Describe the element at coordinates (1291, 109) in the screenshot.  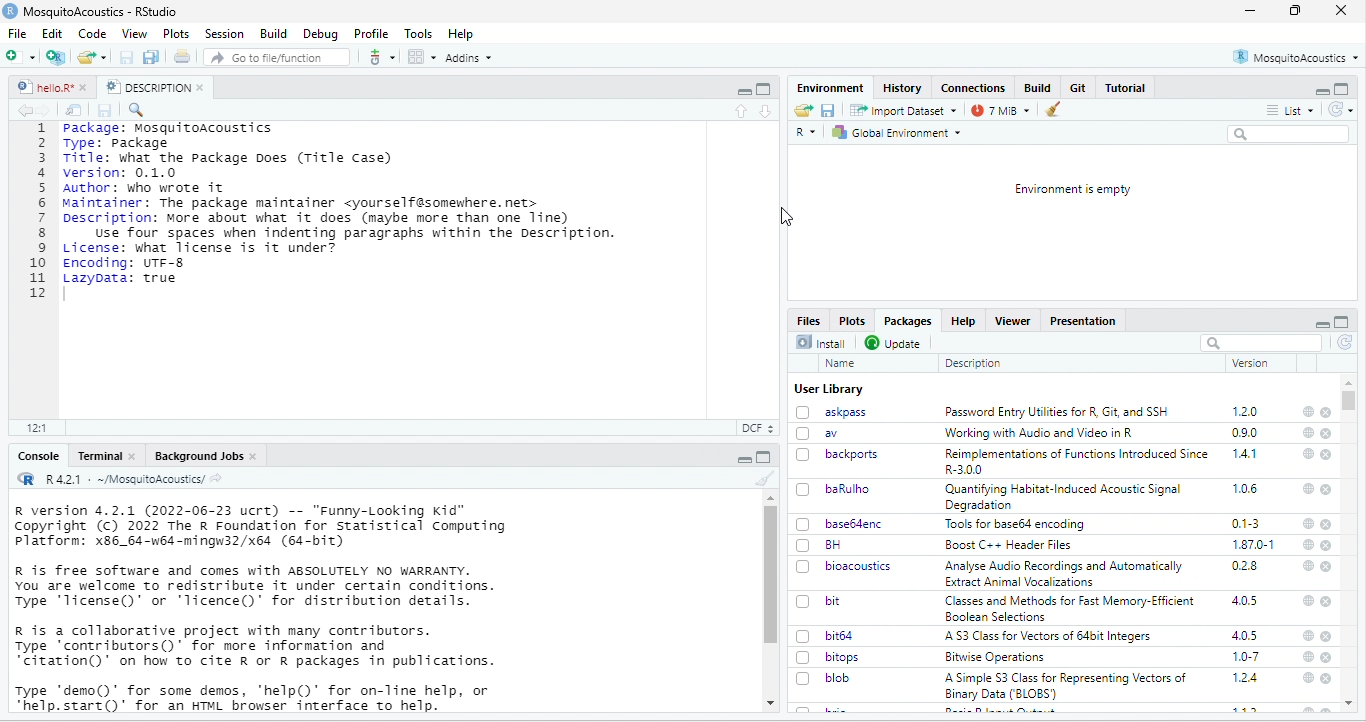
I see `List` at that location.